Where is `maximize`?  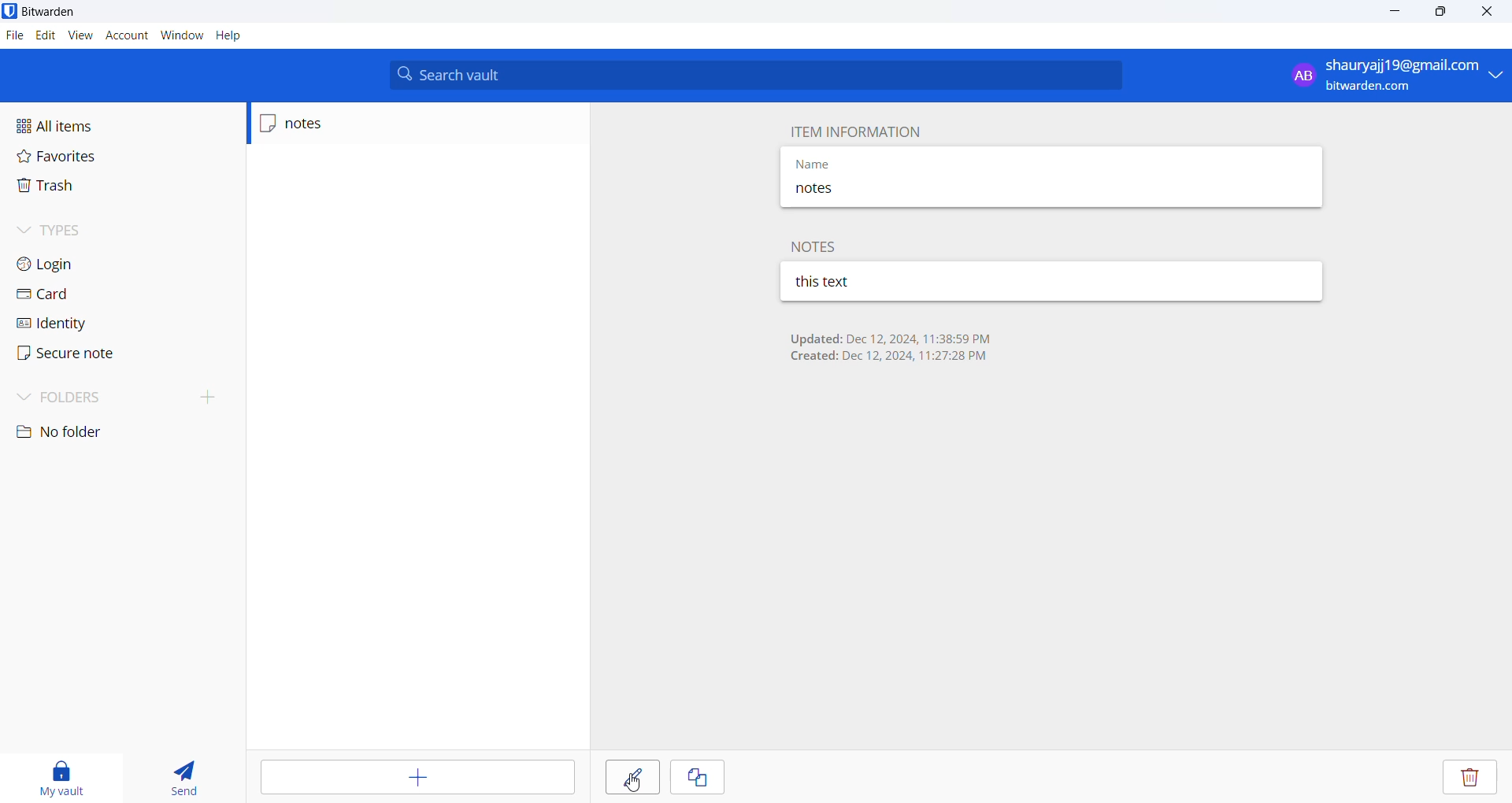
maximize is located at coordinates (1434, 12).